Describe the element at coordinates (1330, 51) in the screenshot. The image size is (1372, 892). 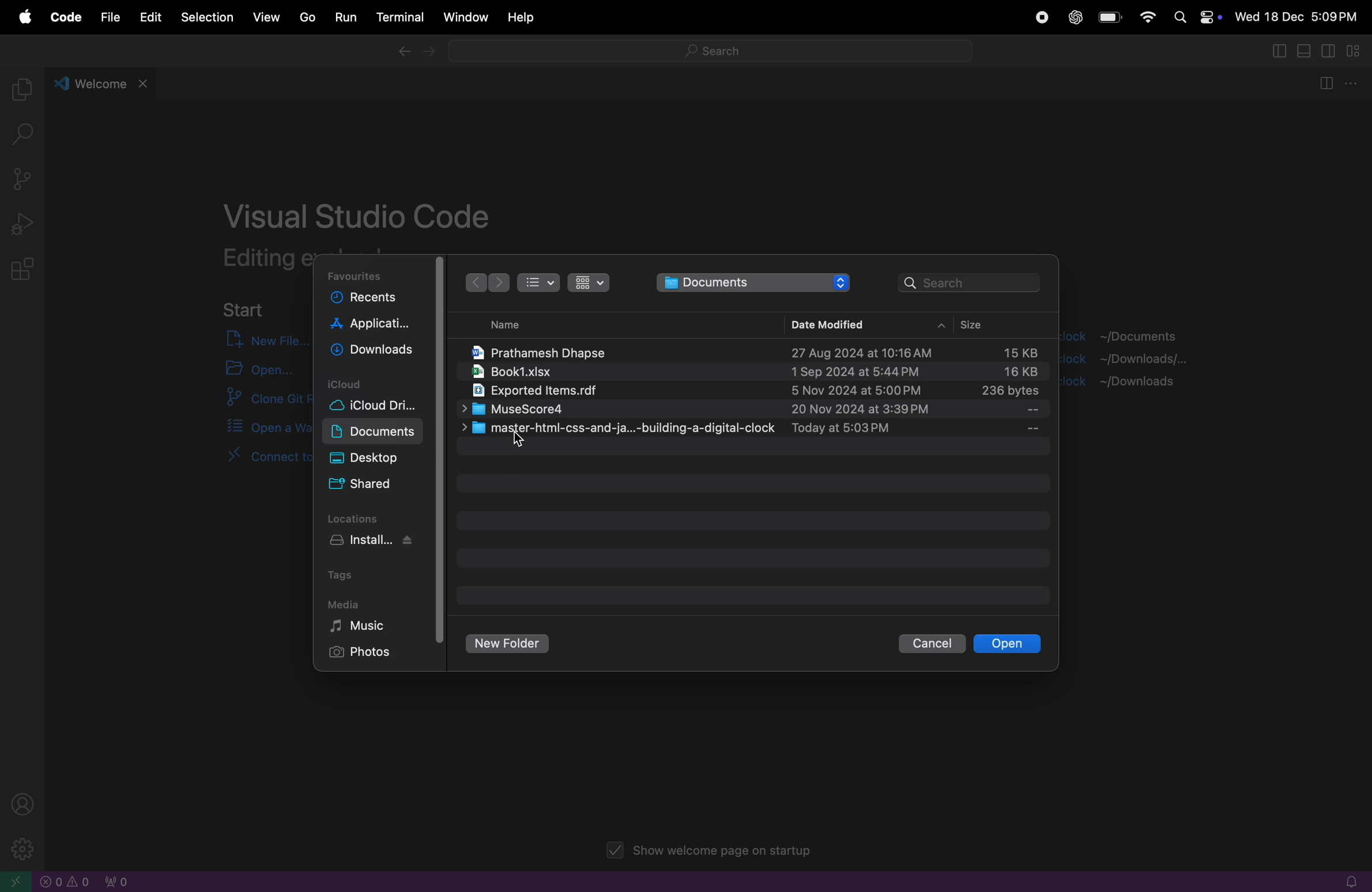
I see `toggle secondary side panel` at that location.